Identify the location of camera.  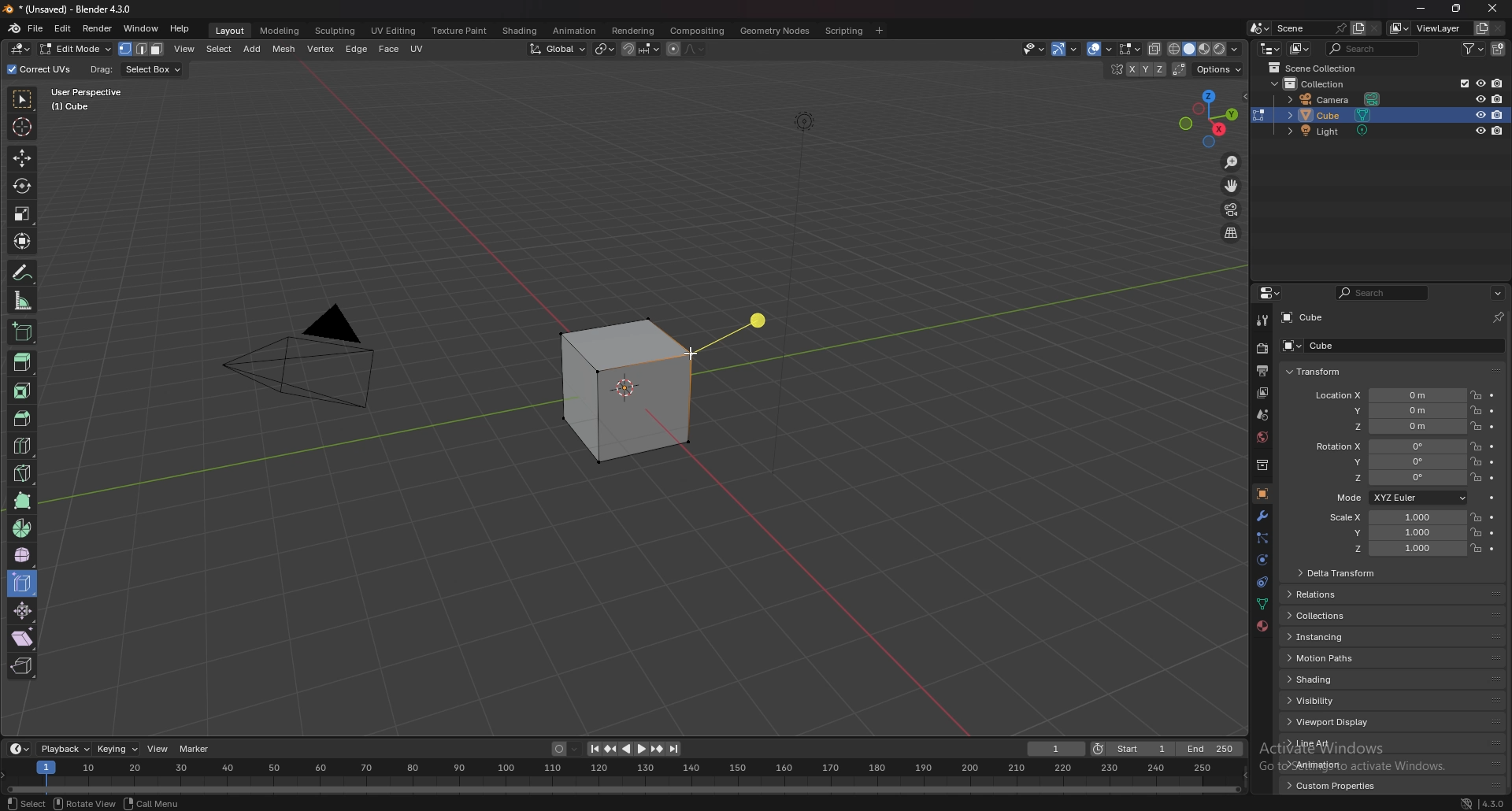
(1338, 98).